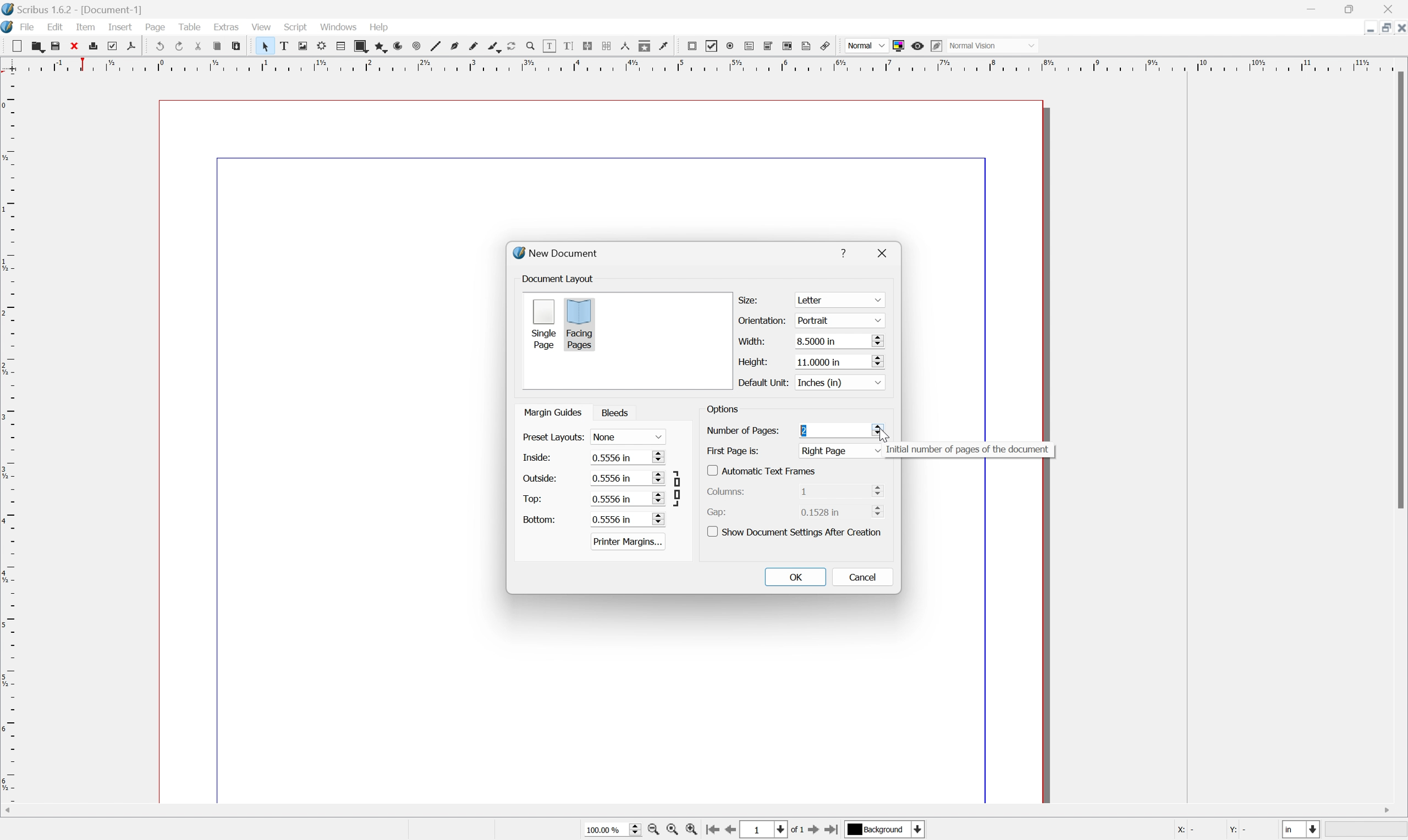 The height and width of the screenshot is (840, 1408). I want to click on Paste, so click(240, 48).